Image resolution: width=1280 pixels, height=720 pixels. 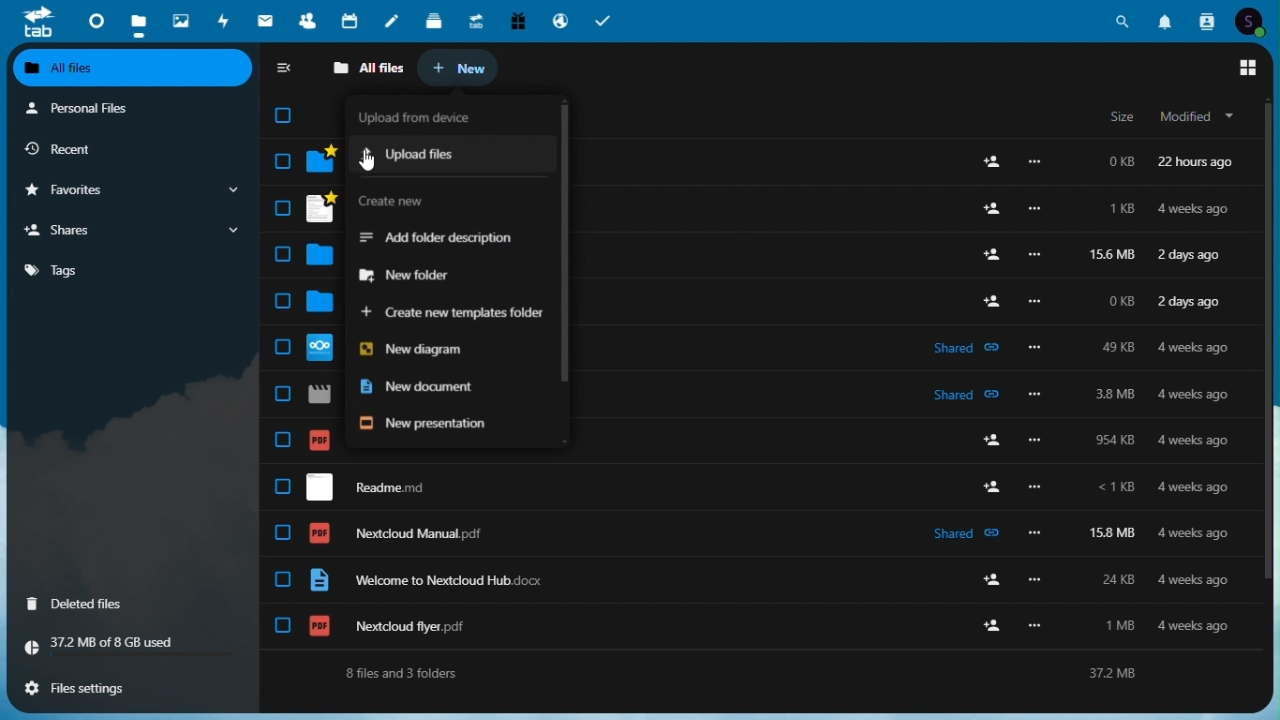 What do you see at coordinates (101, 148) in the screenshot?
I see `Recent` at bounding box center [101, 148].